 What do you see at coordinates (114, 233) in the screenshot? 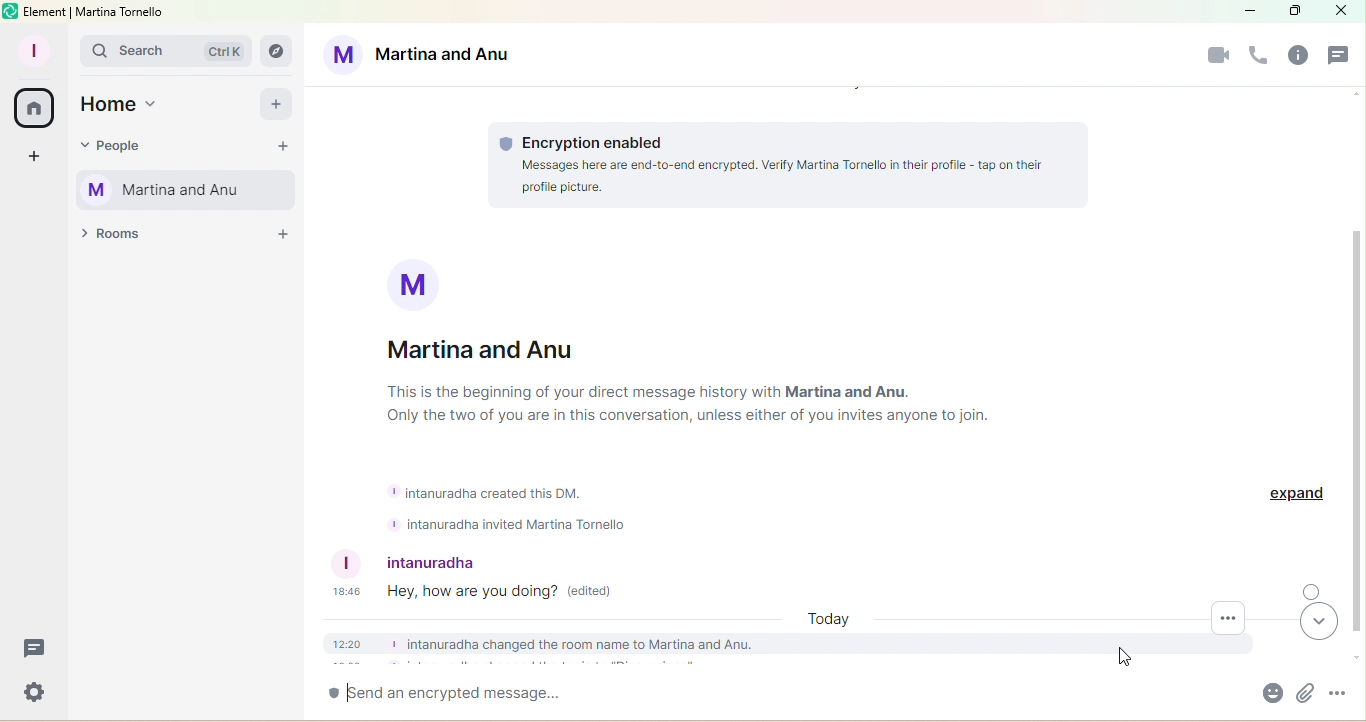
I see `Rooms` at bounding box center [114, 233].